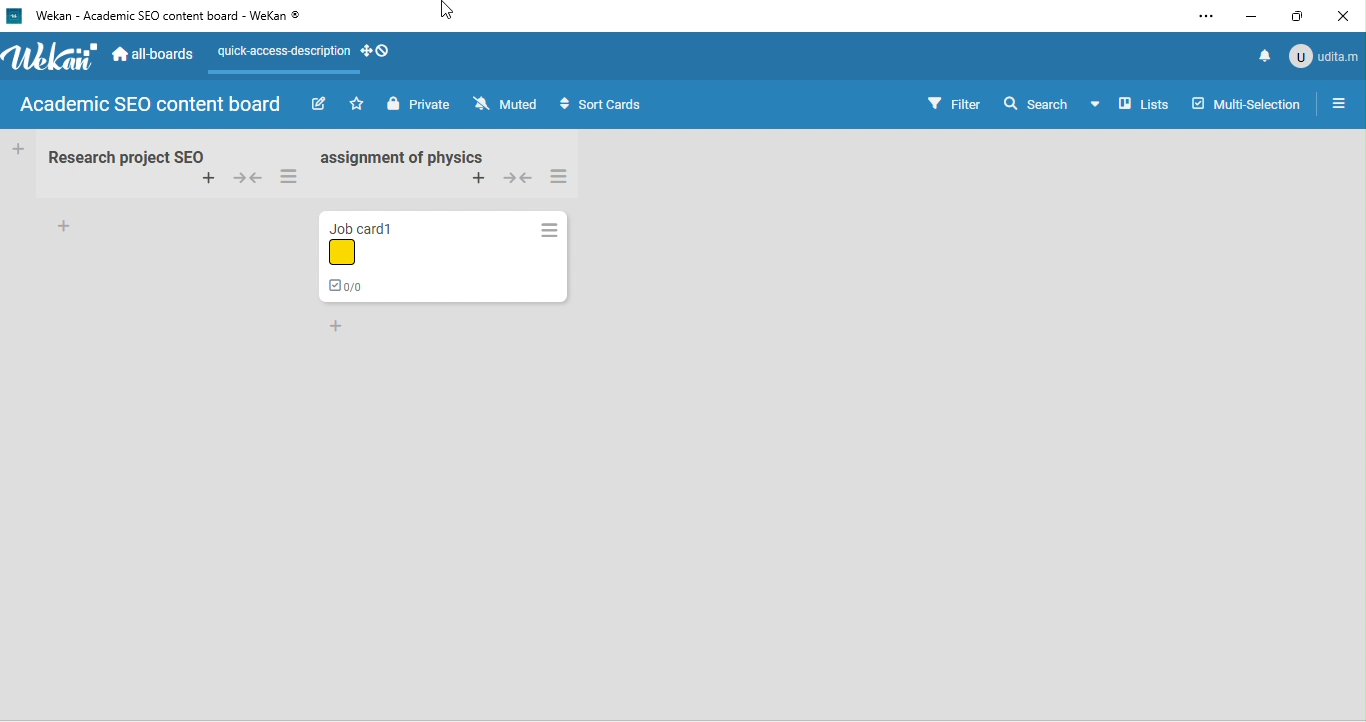  Describe the element at coordinates (200, 179) in the screenshot. I see `add card` at that location.